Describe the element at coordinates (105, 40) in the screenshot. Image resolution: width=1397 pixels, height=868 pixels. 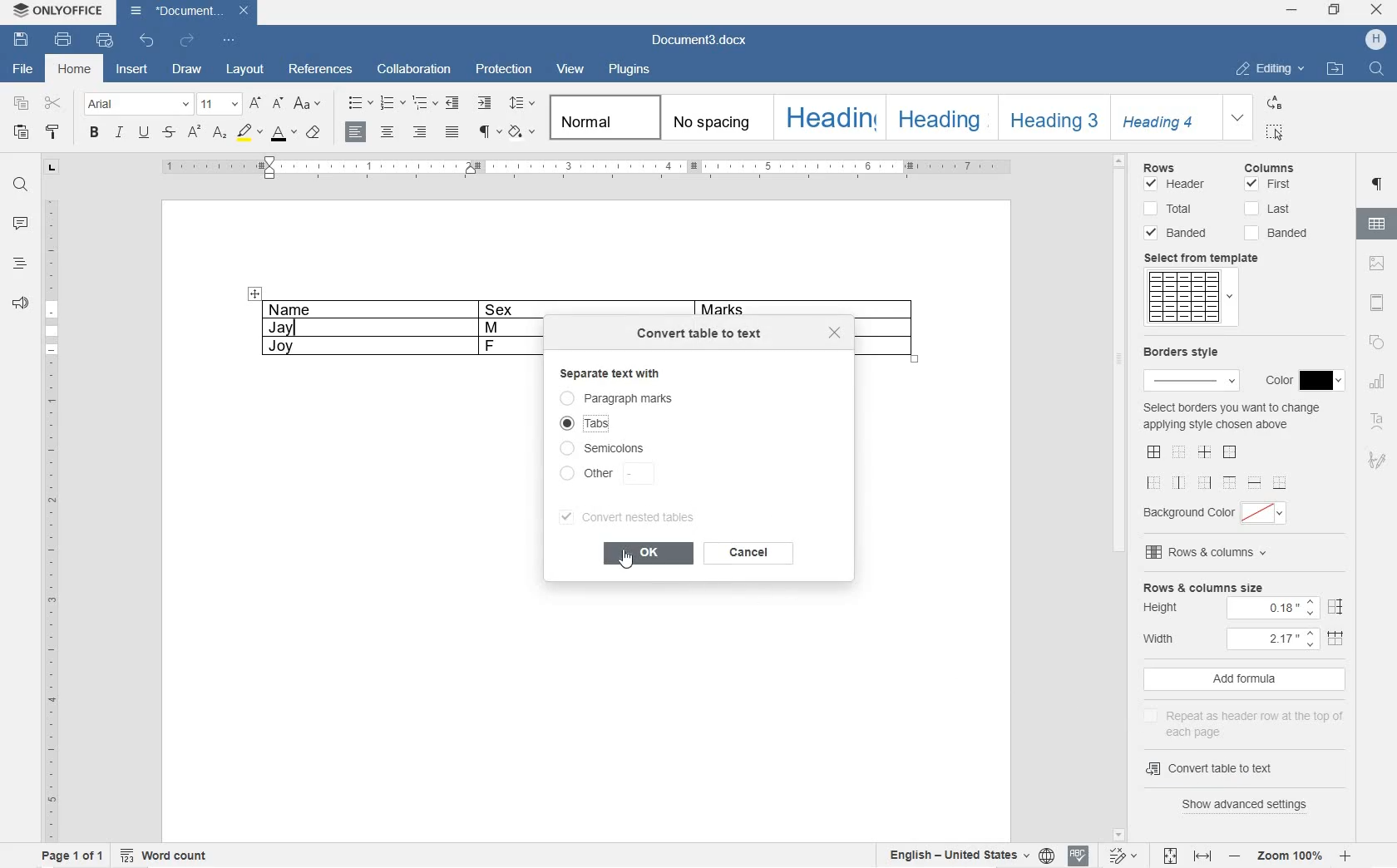
I see `QUICK PRINT` at that location.